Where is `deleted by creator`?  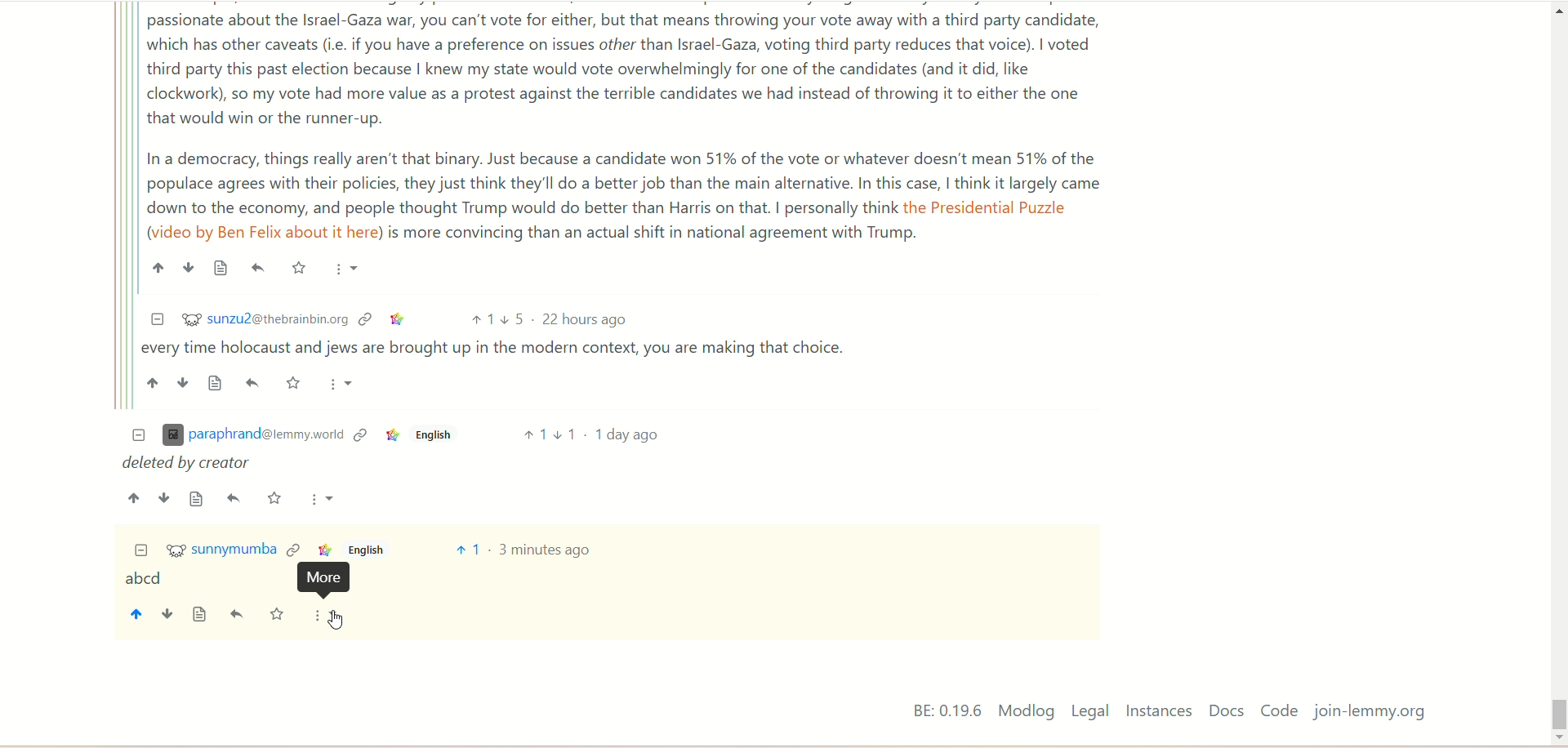 deleted by creator is located at coordinates (189, 464).